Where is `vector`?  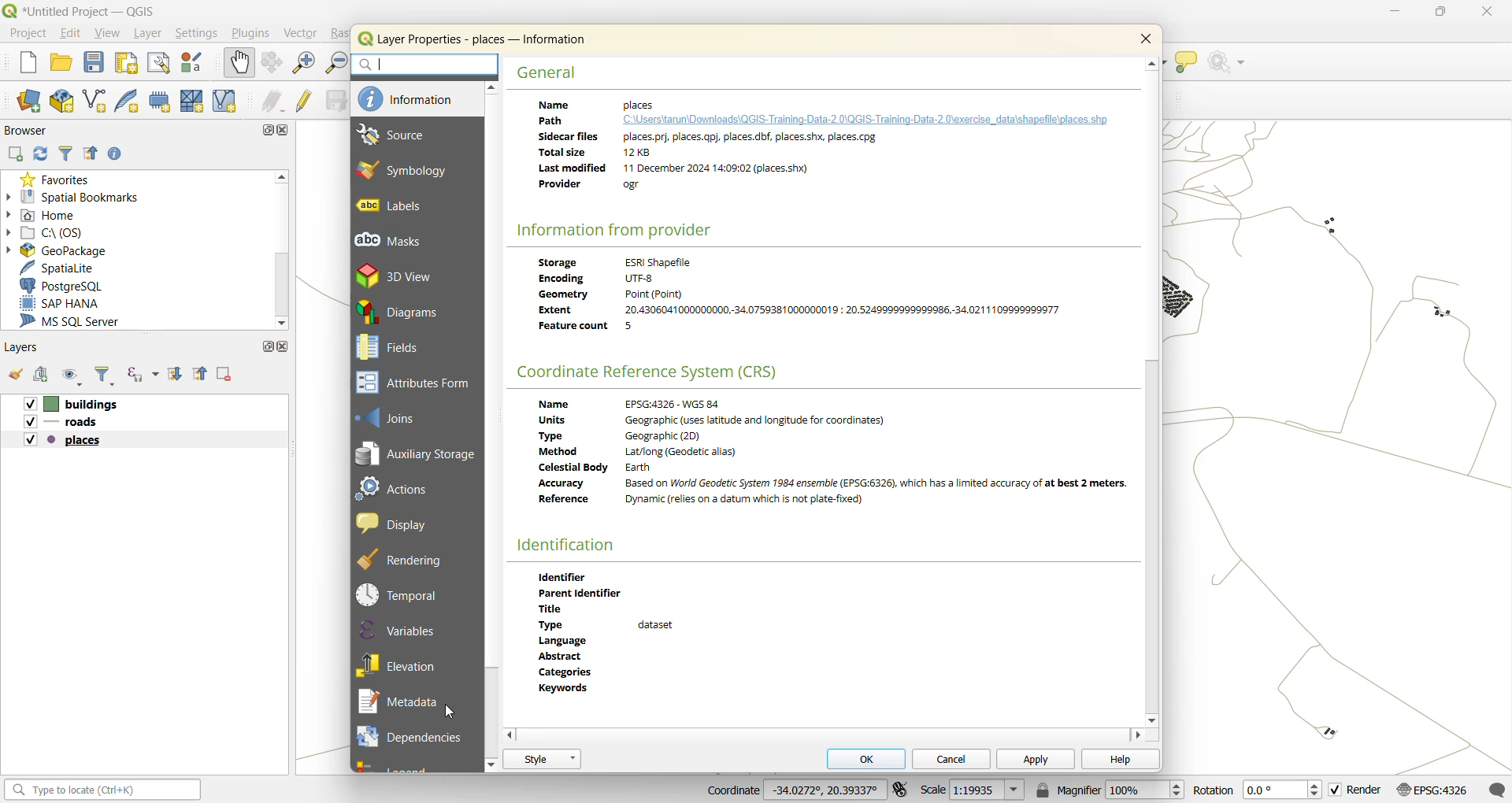 vector is located at coordinates (302, 33).